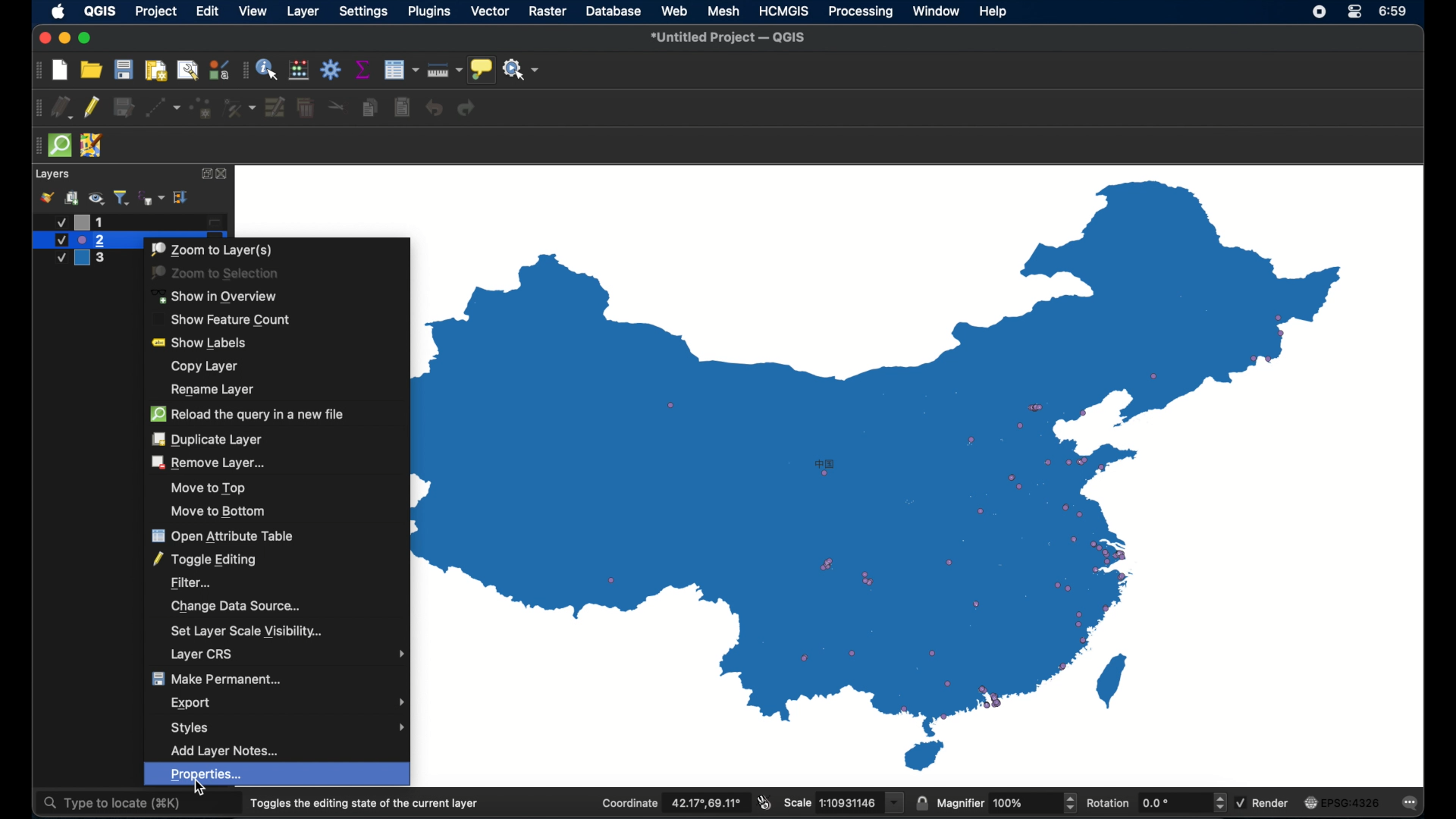 The height and width of the screenshot is (819, 1456). I want to click on time, so click(1395, 12).